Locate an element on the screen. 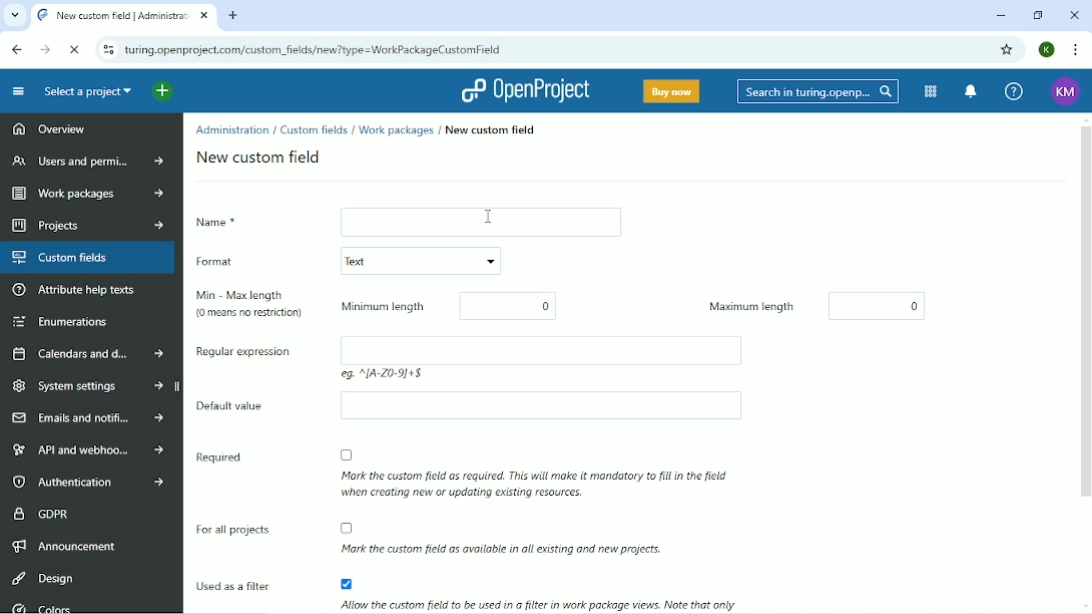  Announcement is located at coordinates (66, 545).